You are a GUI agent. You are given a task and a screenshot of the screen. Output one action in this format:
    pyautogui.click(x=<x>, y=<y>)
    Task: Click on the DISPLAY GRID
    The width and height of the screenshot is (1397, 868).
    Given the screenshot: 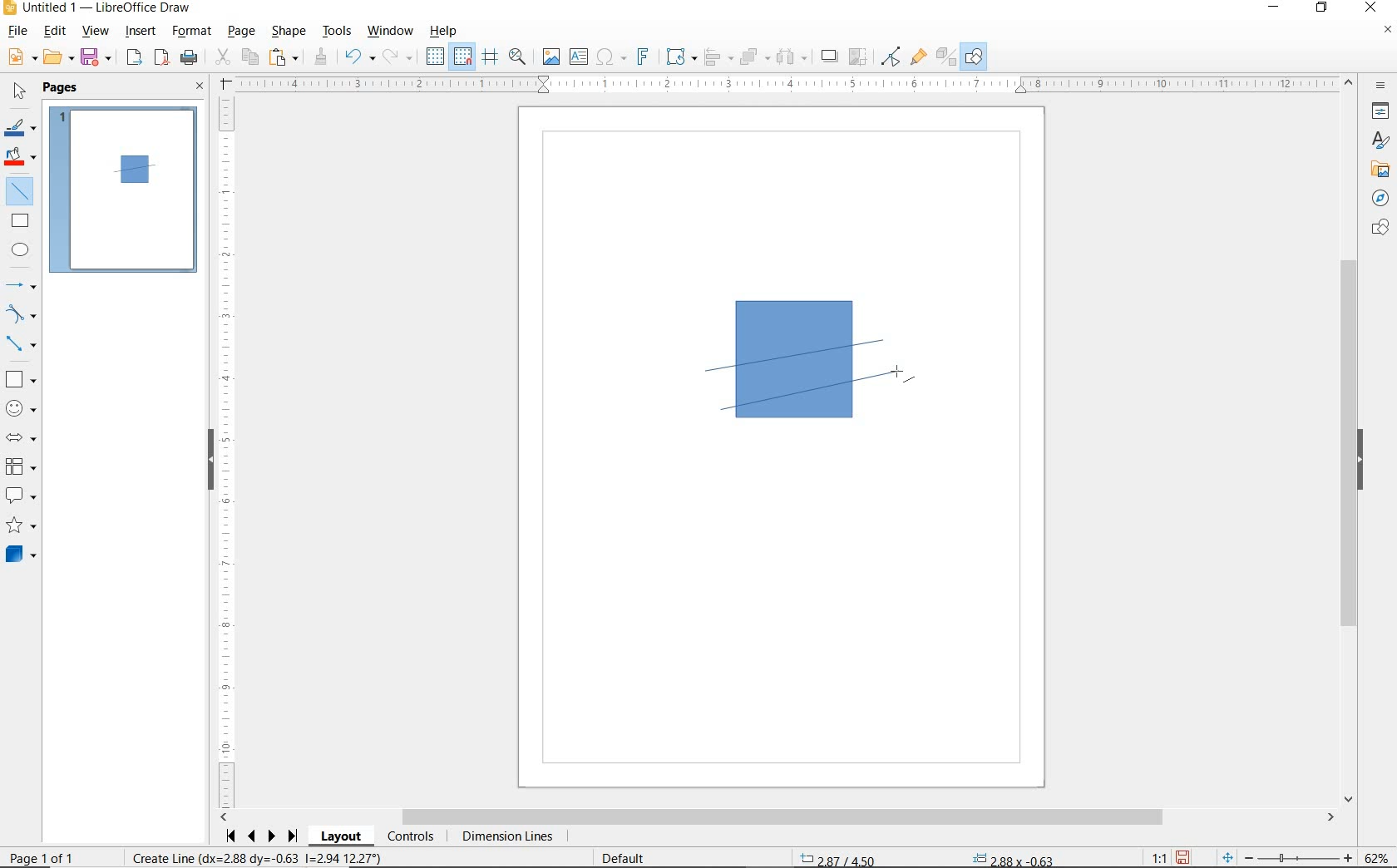 What is the action you would take?
    pyautogui.click(x=437, y=57)
    